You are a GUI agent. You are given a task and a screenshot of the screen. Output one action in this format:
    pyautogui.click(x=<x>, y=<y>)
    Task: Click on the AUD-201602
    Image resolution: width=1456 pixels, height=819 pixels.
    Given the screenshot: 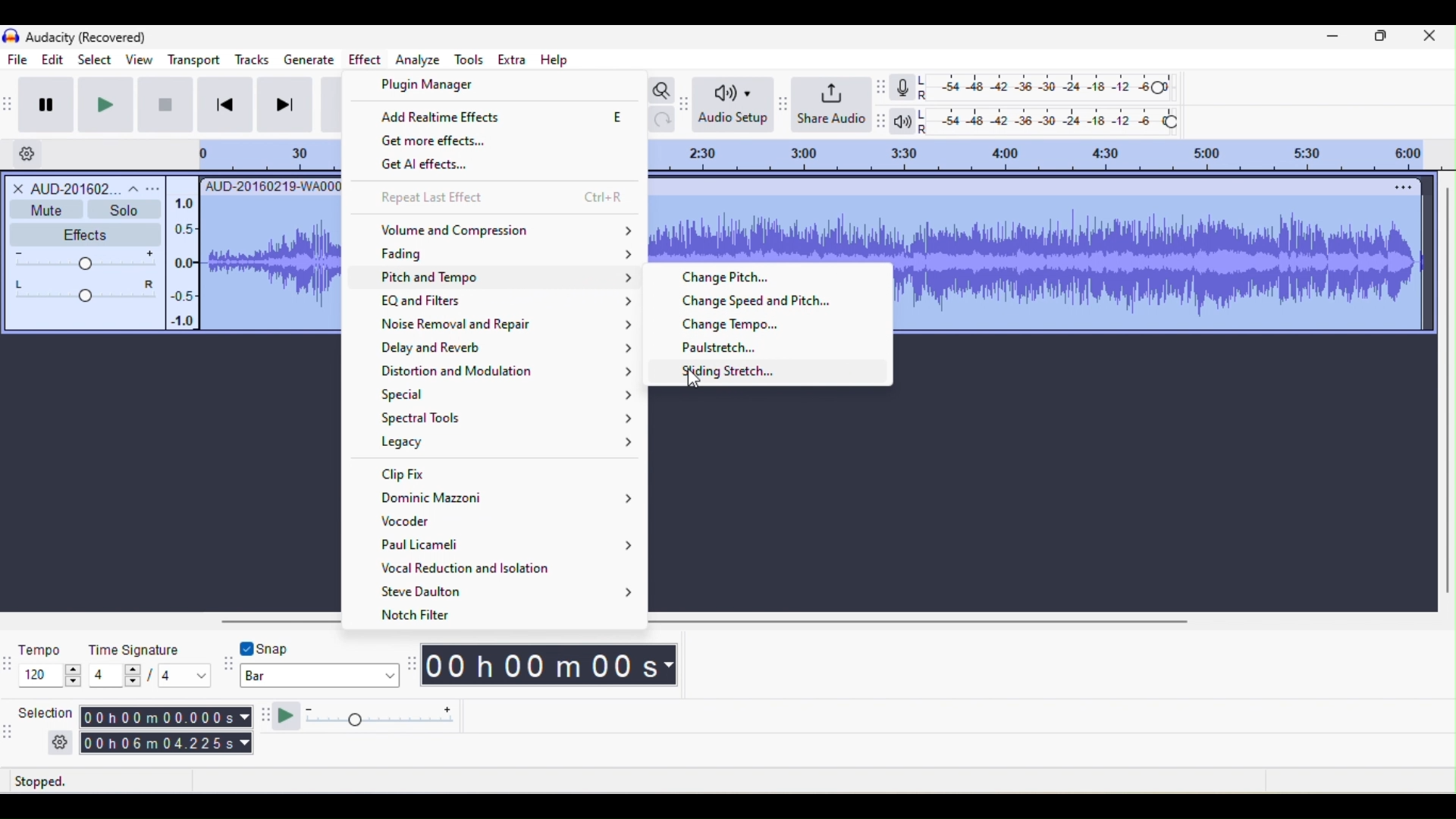 What is the action you would take?
    pyautogui.click(x=85, y=187)
    